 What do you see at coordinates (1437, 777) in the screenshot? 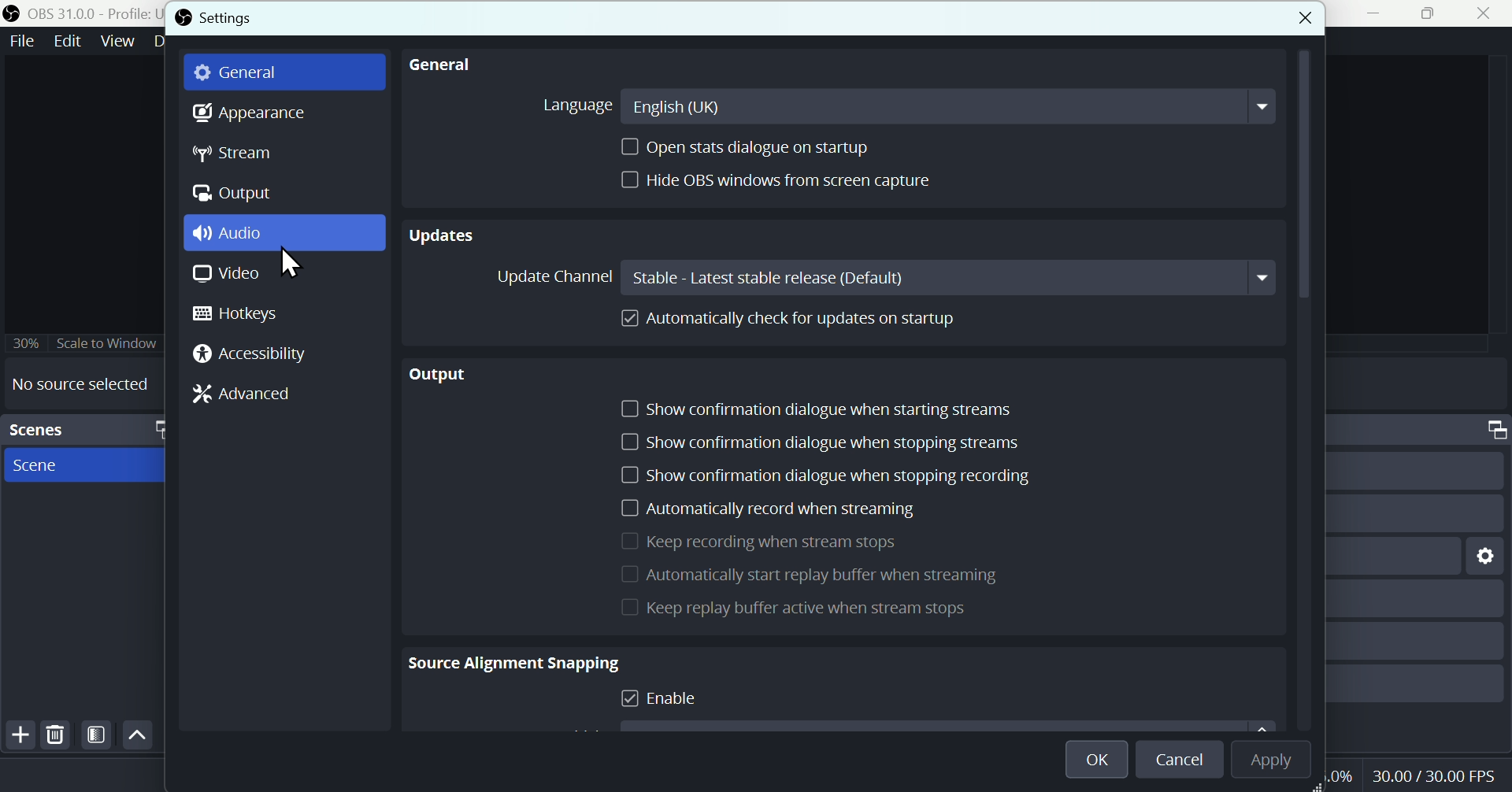
I see `Performance bar` at bounding box center [1437, 777].